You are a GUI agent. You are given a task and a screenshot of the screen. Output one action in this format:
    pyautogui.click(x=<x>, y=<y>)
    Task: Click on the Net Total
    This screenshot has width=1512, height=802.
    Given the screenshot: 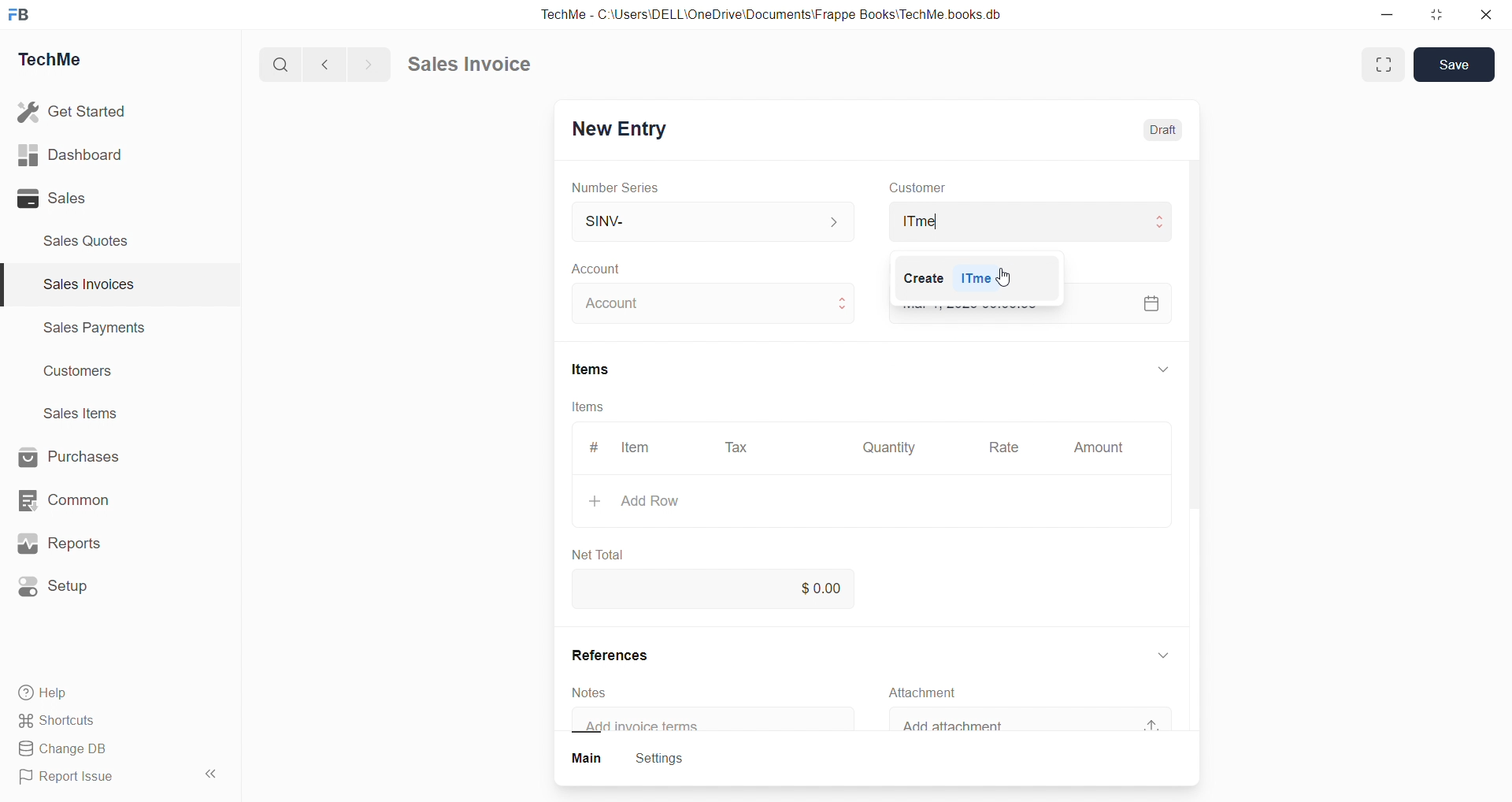 What is the action you would take?
    pyautogui.click(x=607, y=550)
    